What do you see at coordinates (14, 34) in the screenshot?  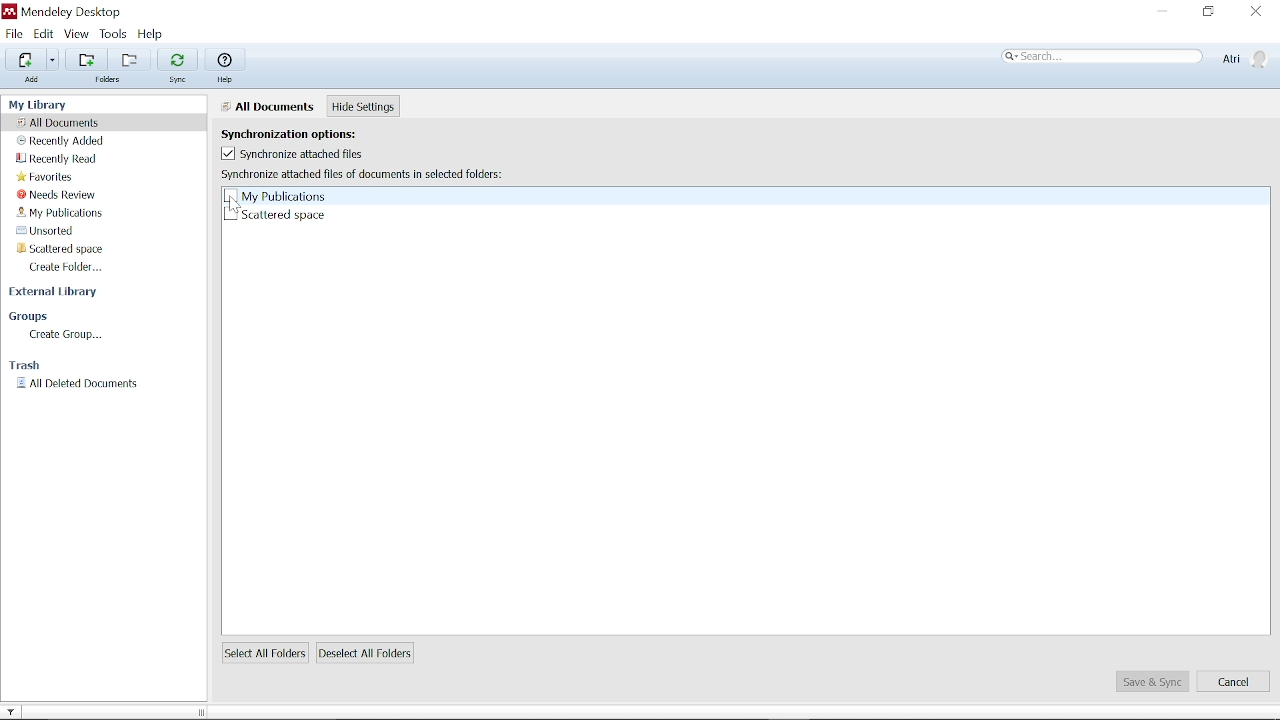 I see `File` at bounding box center [14, 34].